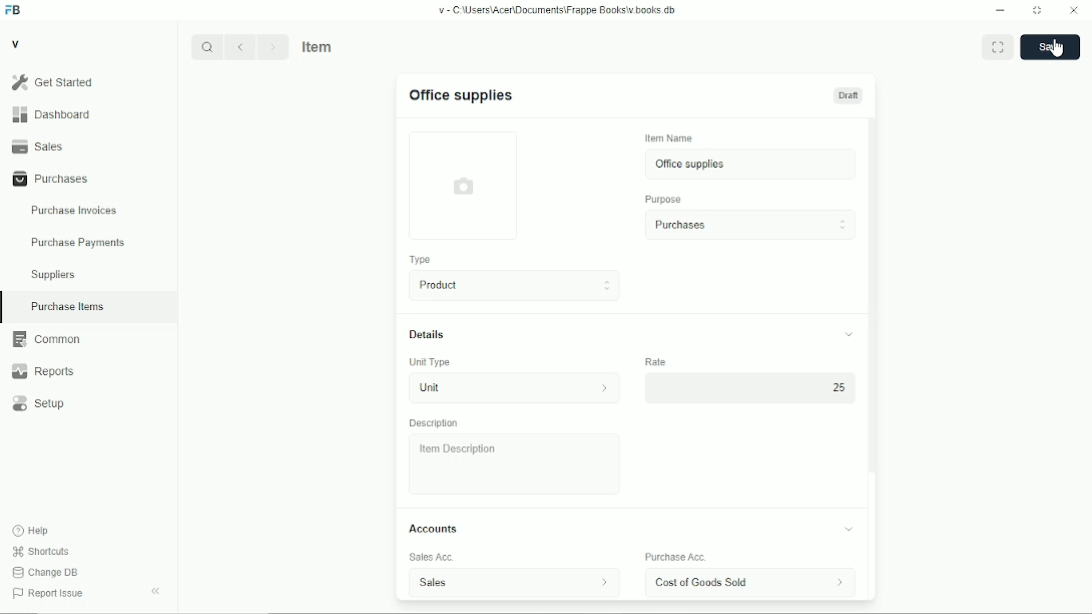 This screenshot has height=614, width=1092. What do you see at coordinates (54, 114) in the screenshot?
I see `dashboard` at bounding box center [54, 114].